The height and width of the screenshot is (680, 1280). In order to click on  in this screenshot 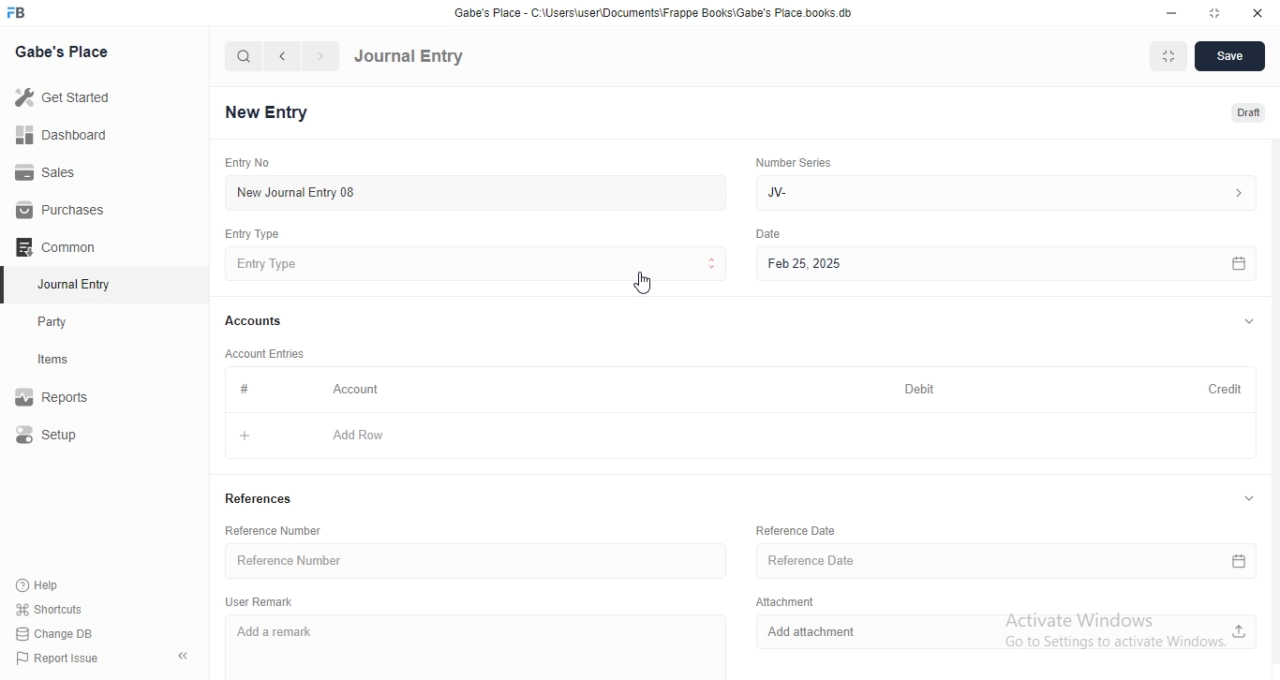, I will do `click(768, 234)`.